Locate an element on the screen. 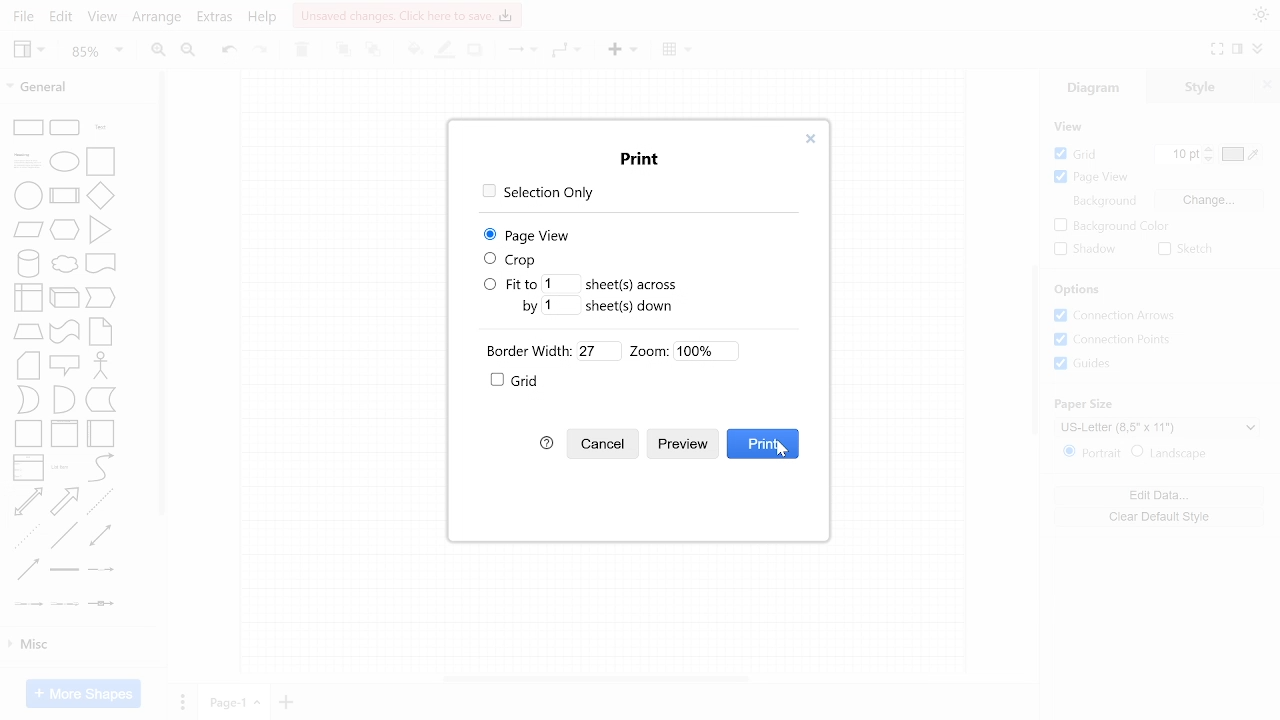 Image resolution: width=1280 pixels, height=720 pixels. Connector with Symbol is located at coordinates (100, 604).